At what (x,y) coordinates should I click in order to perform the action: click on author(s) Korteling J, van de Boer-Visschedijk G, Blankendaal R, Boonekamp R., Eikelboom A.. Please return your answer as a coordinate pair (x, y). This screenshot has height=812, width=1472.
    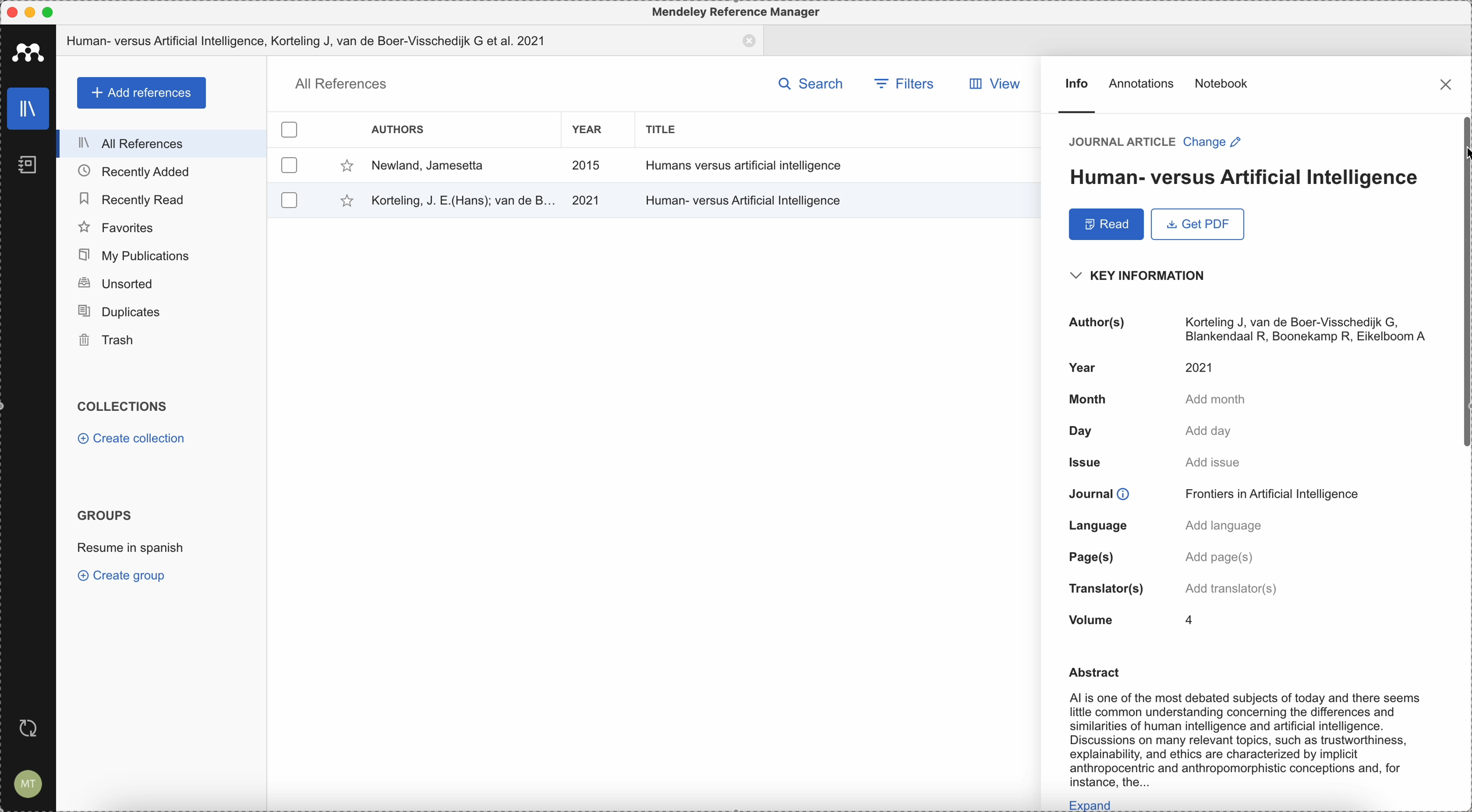
    Looking at the image, I should click on (1246, 327).